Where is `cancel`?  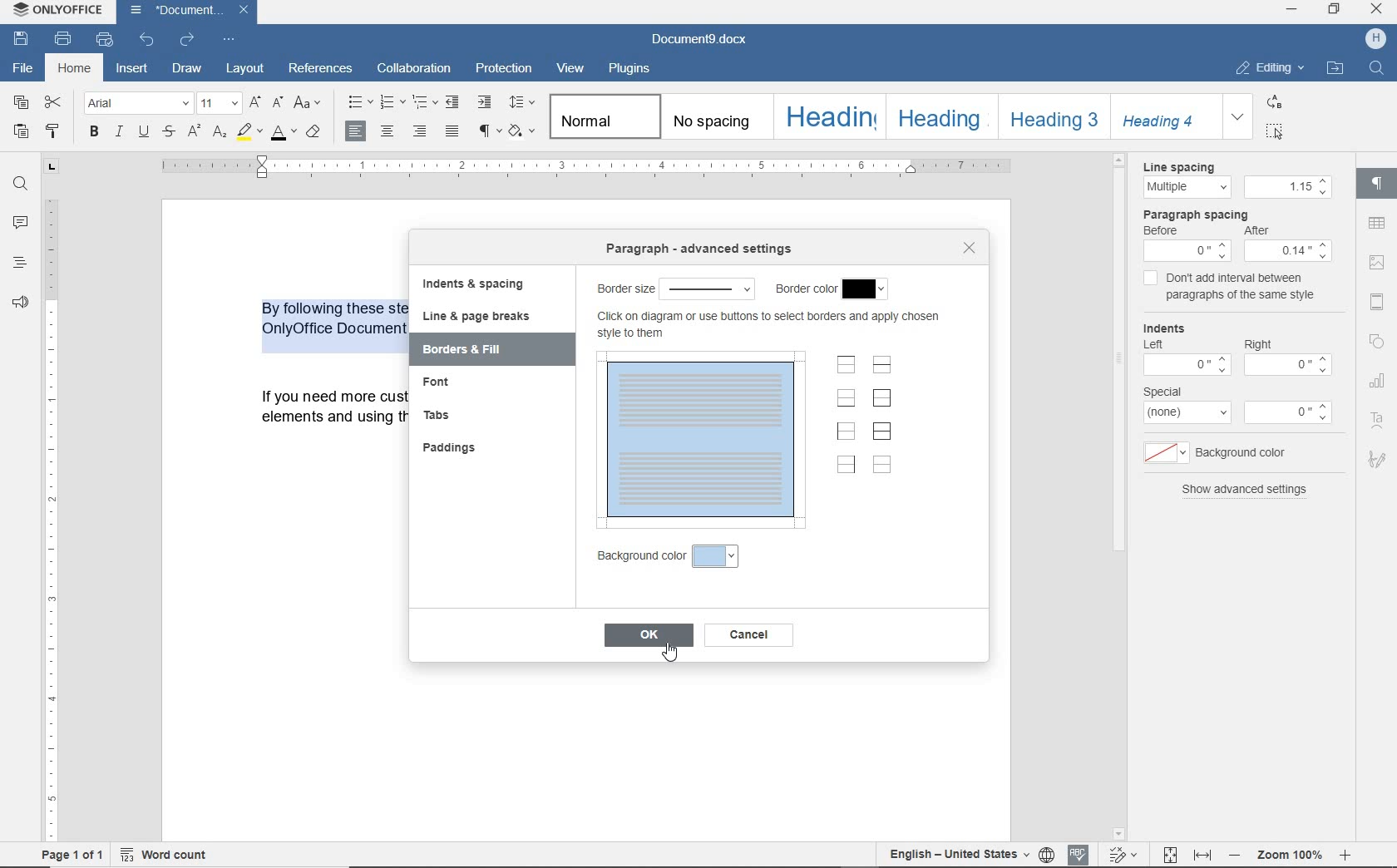
cancel is located at coordinates (749, 634).